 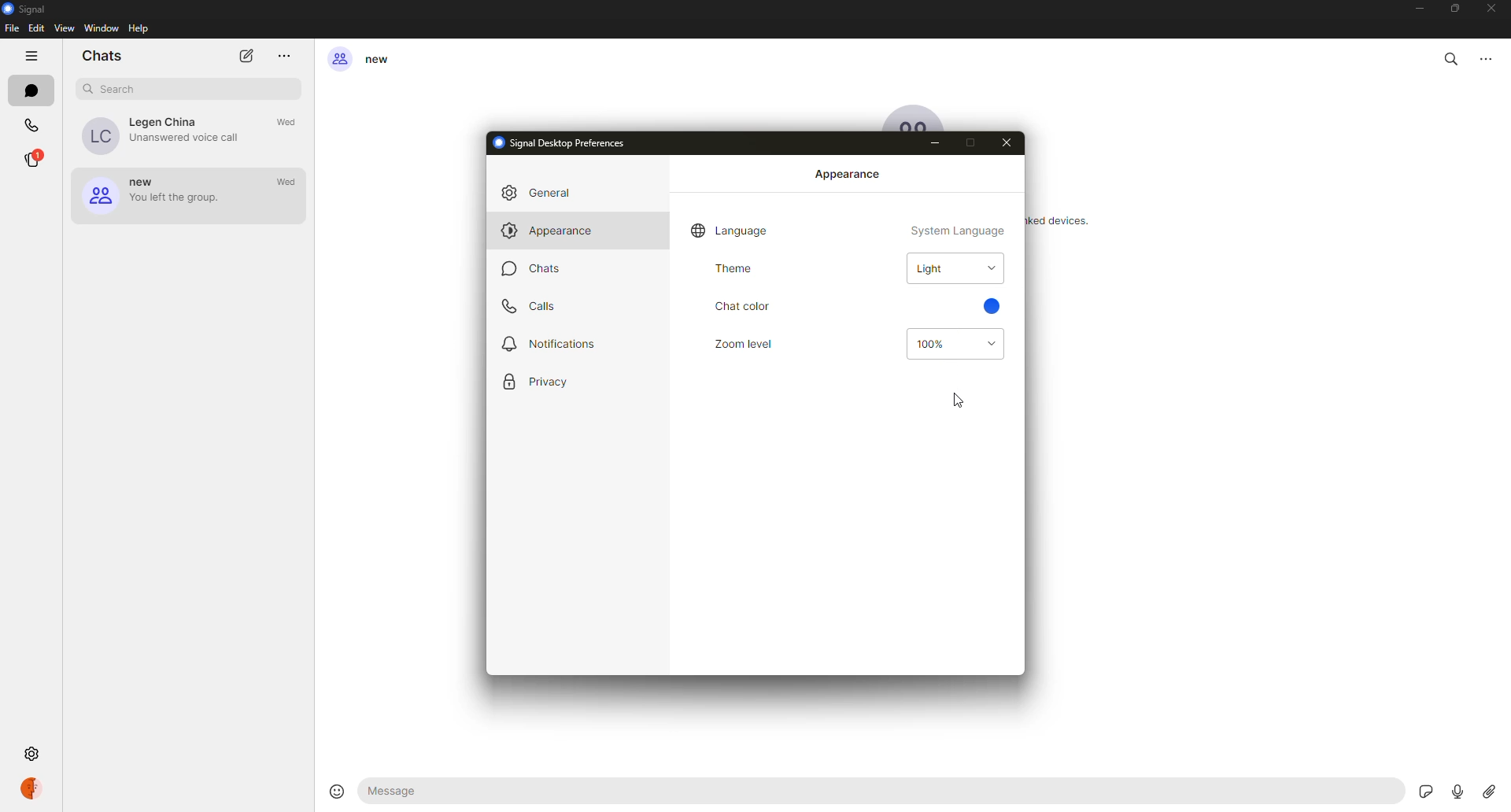 What do you see at coordinates (1415, 9) in the screenshot?
I see `minimize` at bounding box center [1415, 9].